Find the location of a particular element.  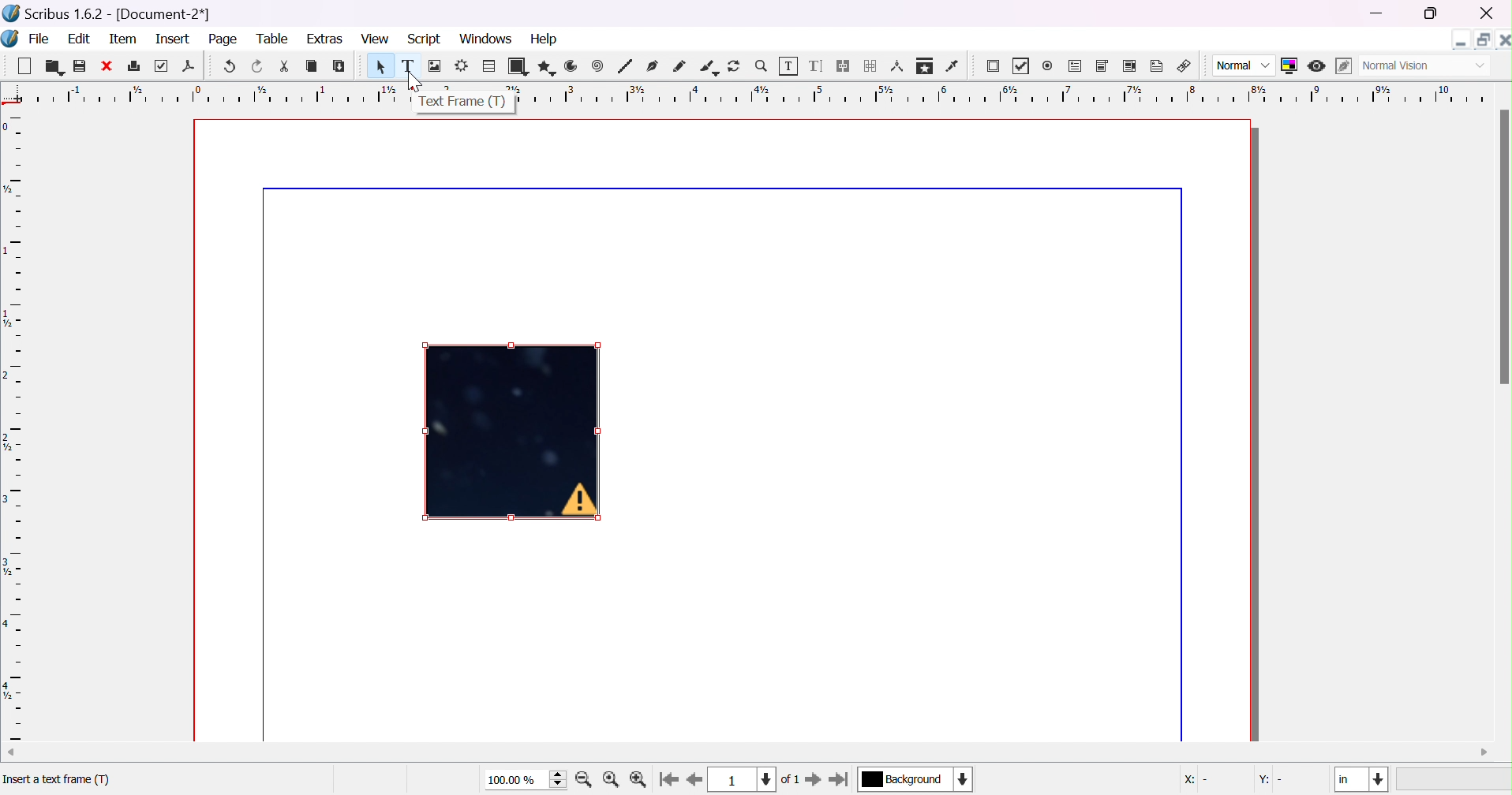

scroll right is located at coordinates (1485, 752).